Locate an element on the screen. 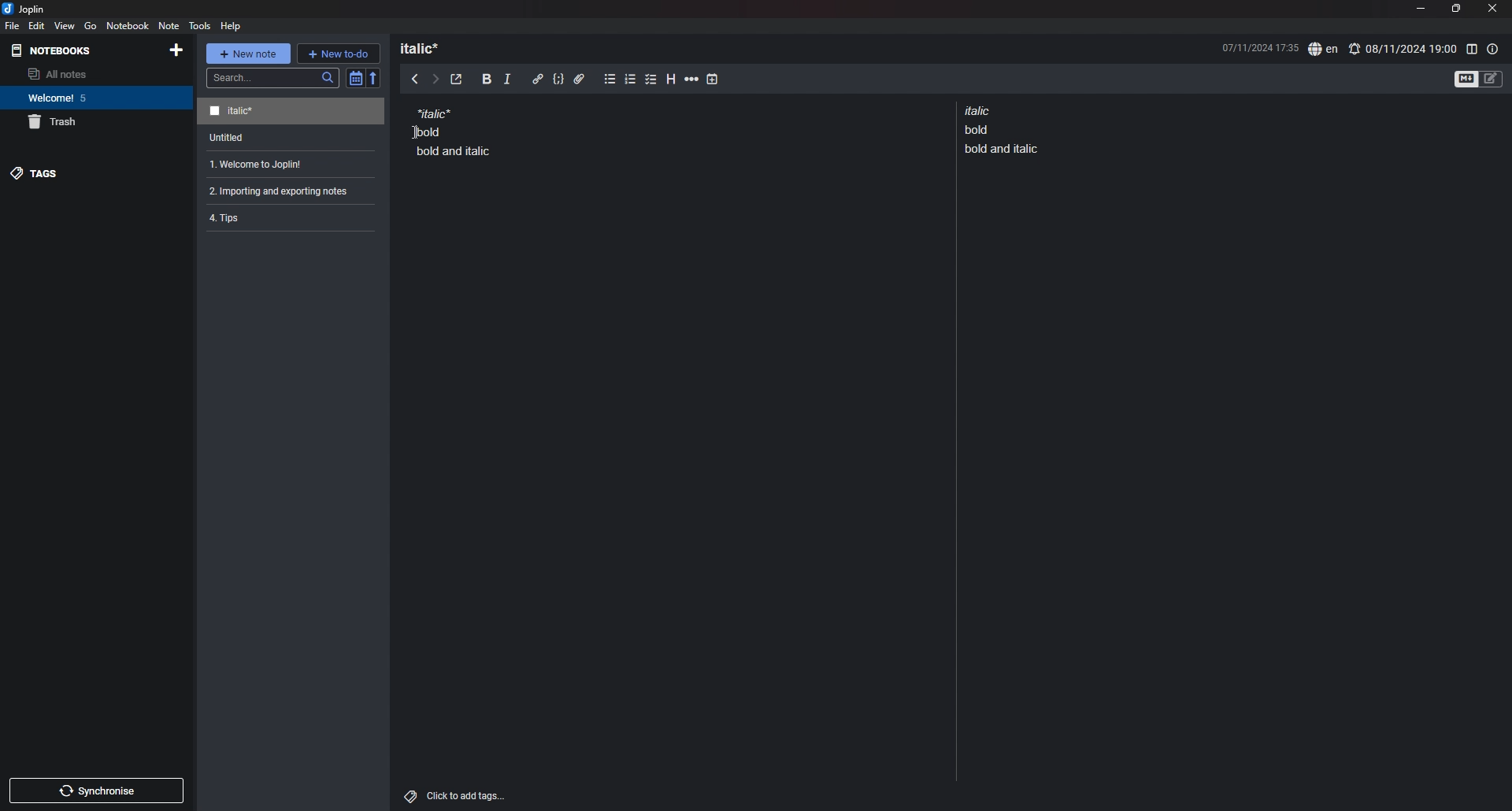 Image resolution: width=1512 pixels, height=811 pixels. tags is located at coordinates (95, 173).